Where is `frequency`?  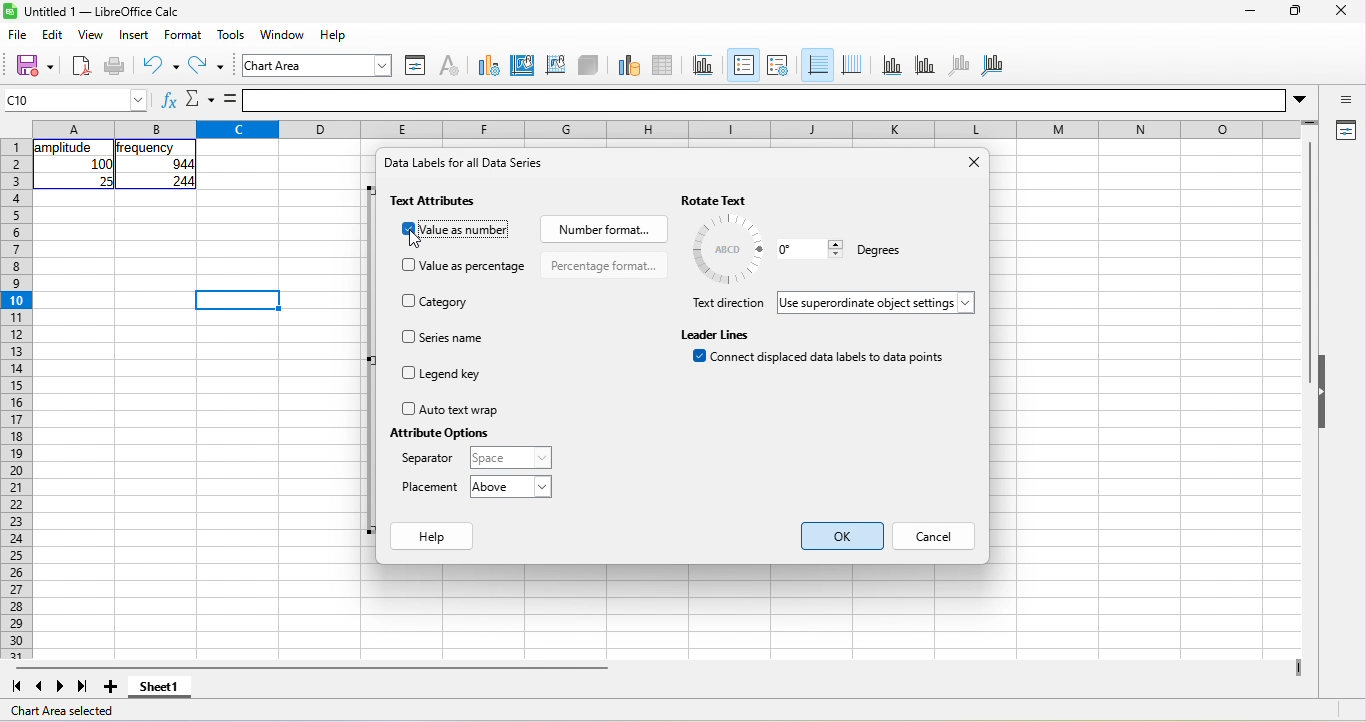
frequency is located at coordinates (147, 148).